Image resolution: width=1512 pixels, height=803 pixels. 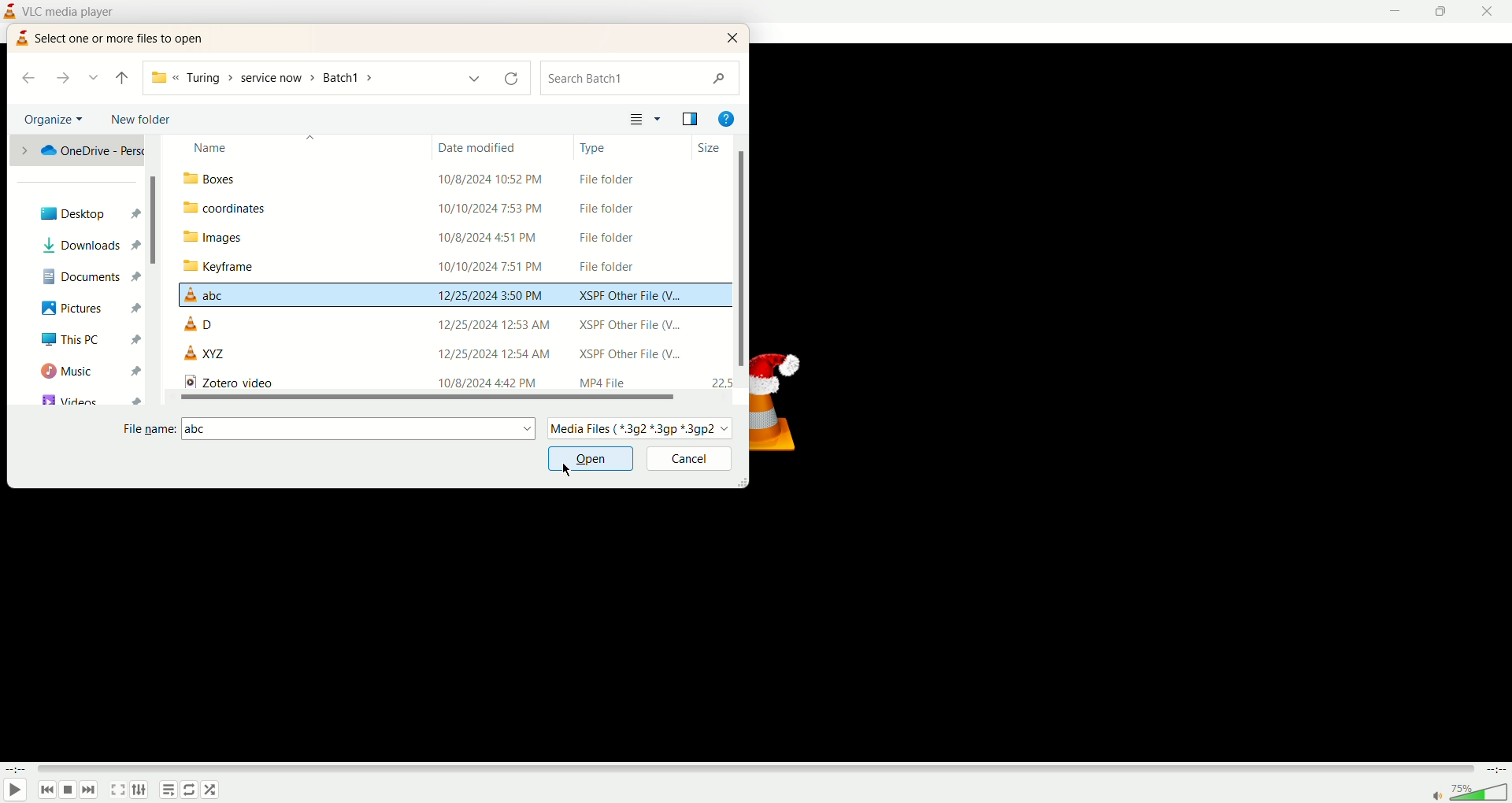 What do you see at coordinates (30, 76) in the screenshot?
I see `back` at bounding box center [30, 76].